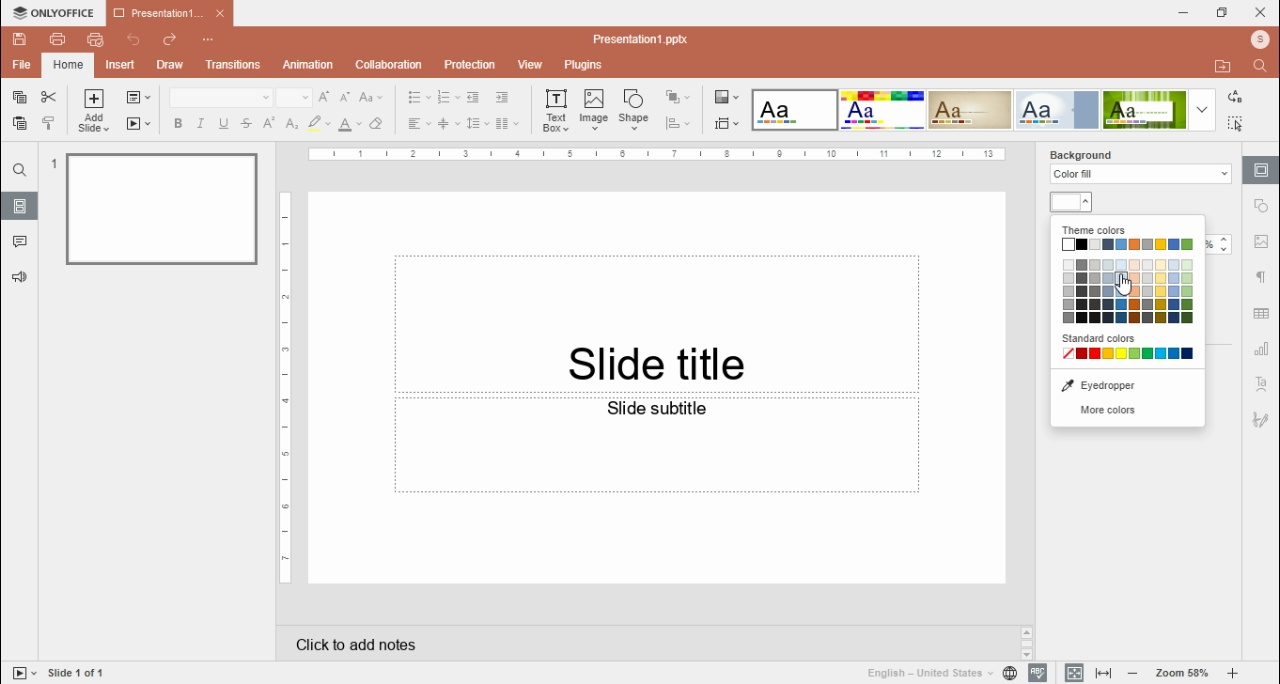 Image resolution: width=1280 pixels, height=684 pixels. I want to click on strikethrough, so click(246, 123).